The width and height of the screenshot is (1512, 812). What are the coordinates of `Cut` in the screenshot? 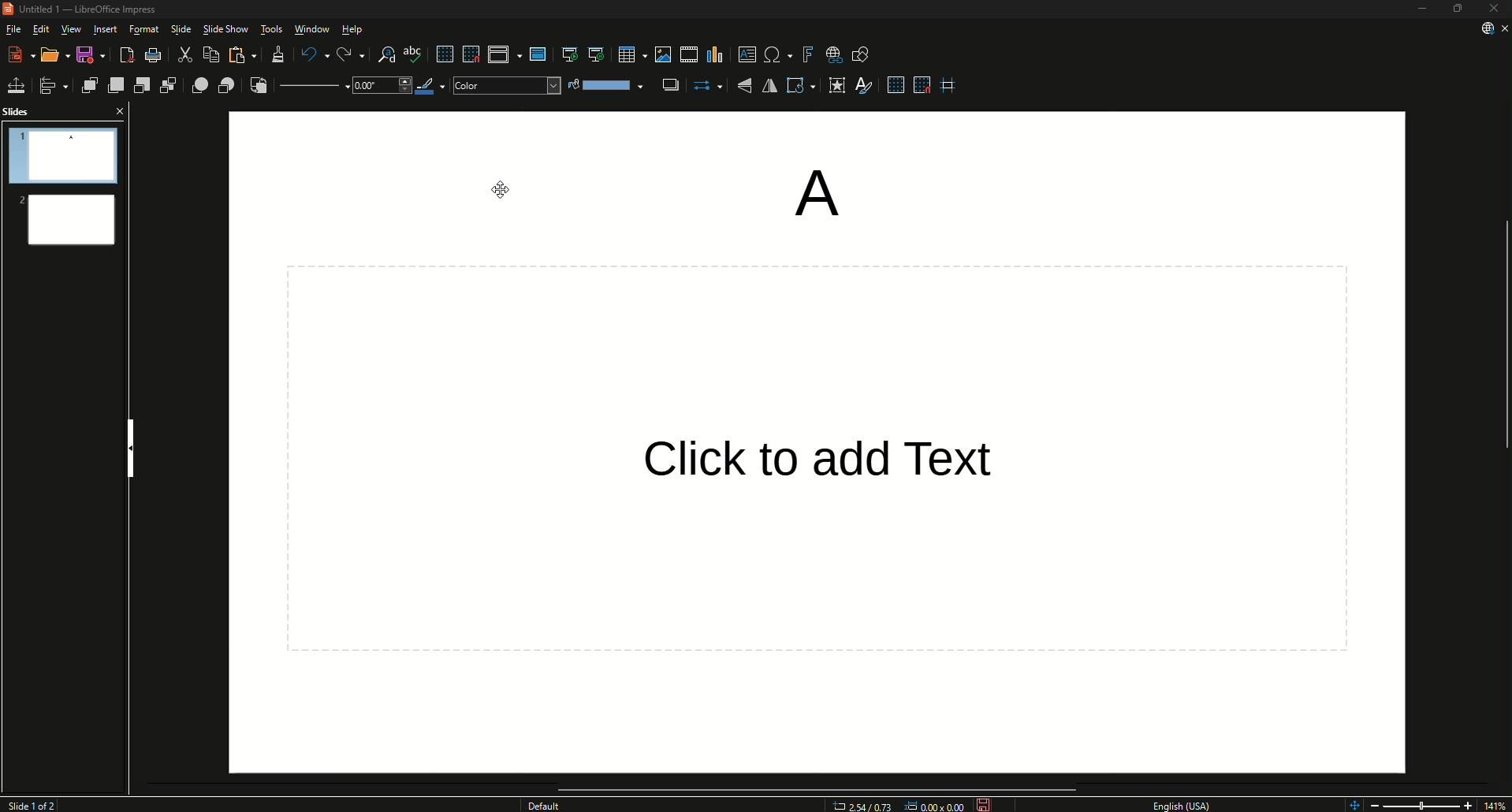 It's located at (181, 55).